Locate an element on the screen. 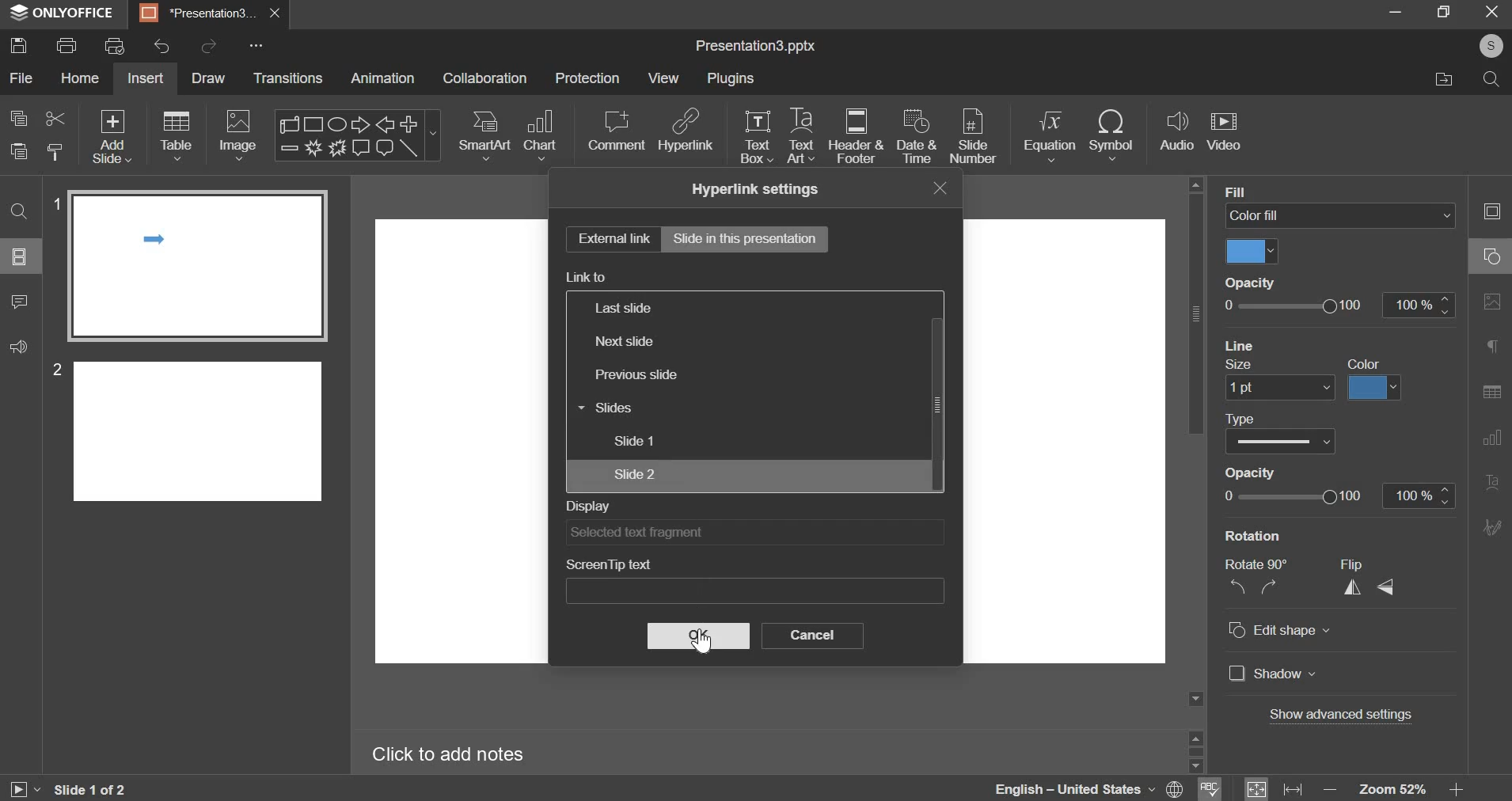 The height and width of the screenshot is (801, 1512). zoom 52% is located at coordinates (1392, 789).